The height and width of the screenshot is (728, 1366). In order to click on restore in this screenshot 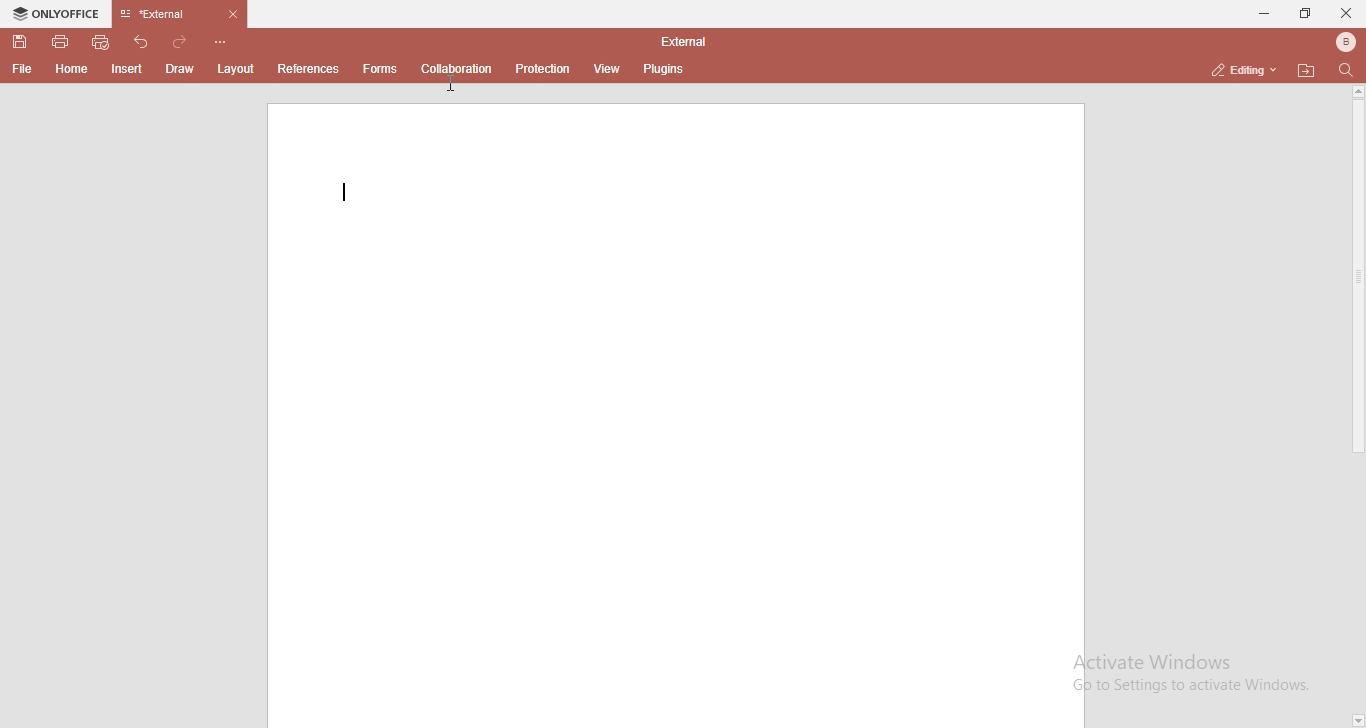, I will do `click(1307, 12)`.